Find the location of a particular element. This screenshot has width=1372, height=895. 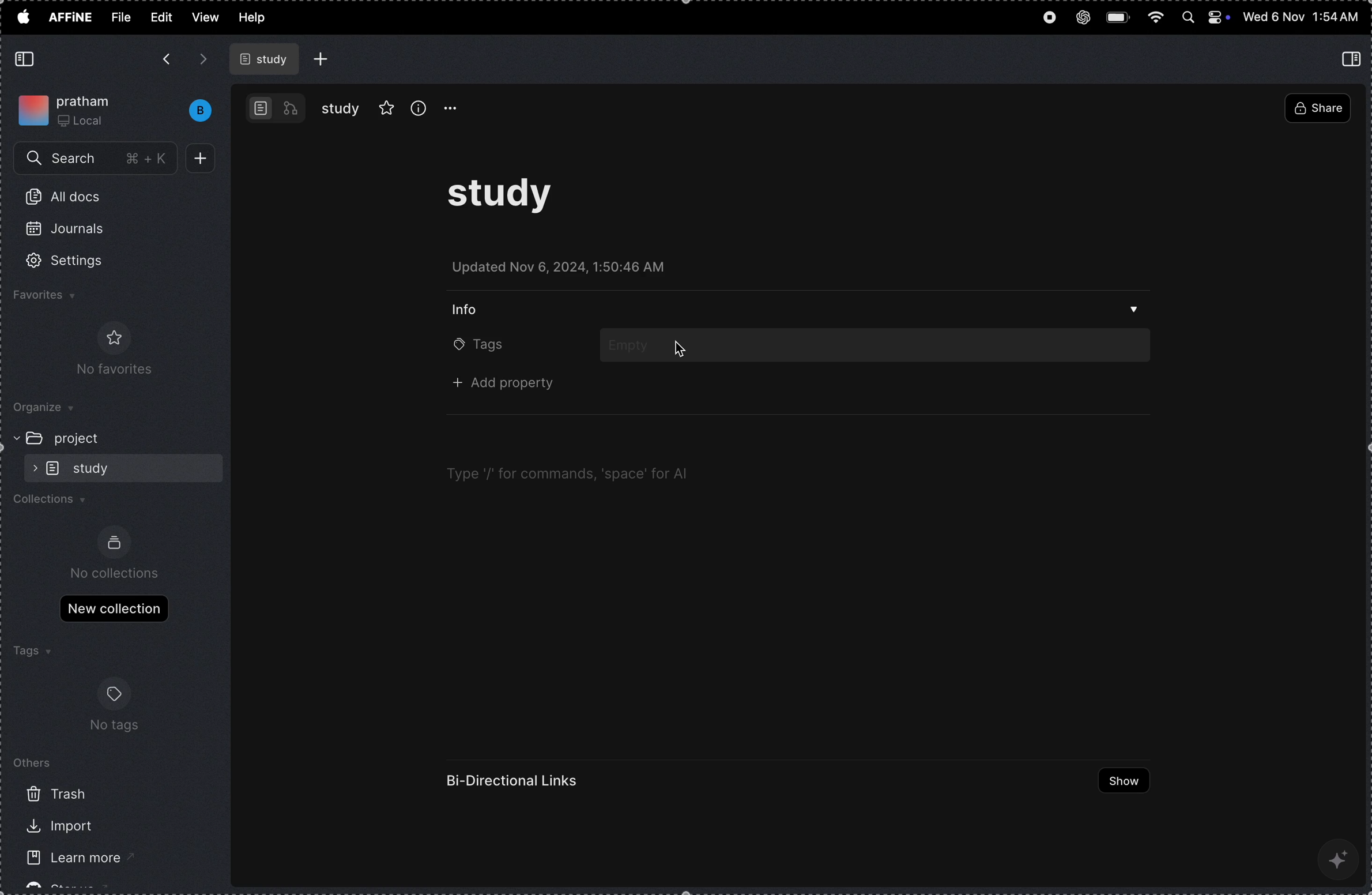

apple widgets is located at coordinates (1205, 18).